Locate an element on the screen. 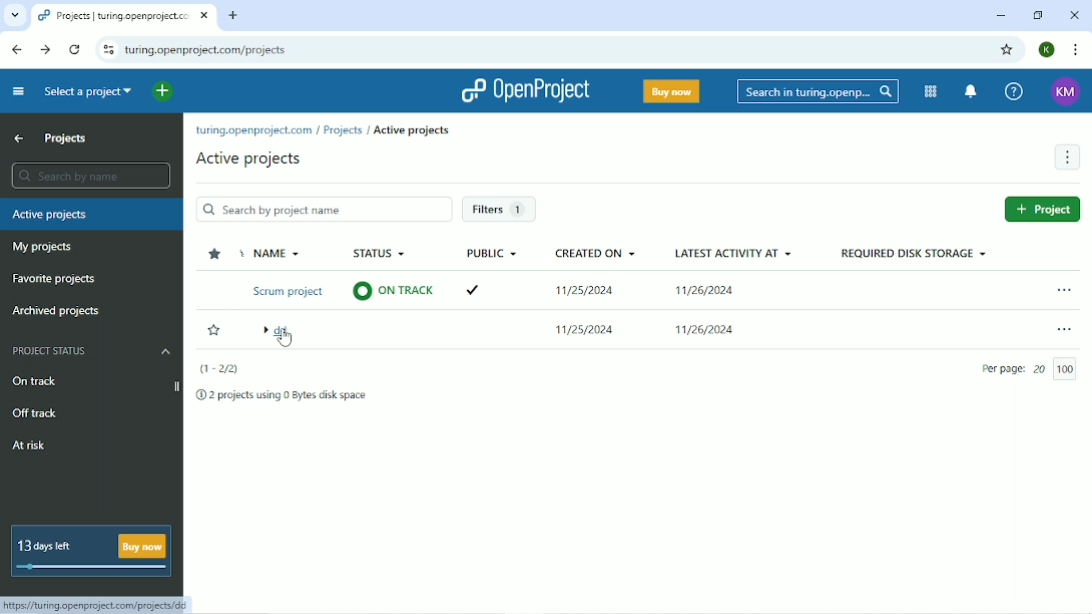  Per page: 20/100 is located at coordinates (1033, 370).